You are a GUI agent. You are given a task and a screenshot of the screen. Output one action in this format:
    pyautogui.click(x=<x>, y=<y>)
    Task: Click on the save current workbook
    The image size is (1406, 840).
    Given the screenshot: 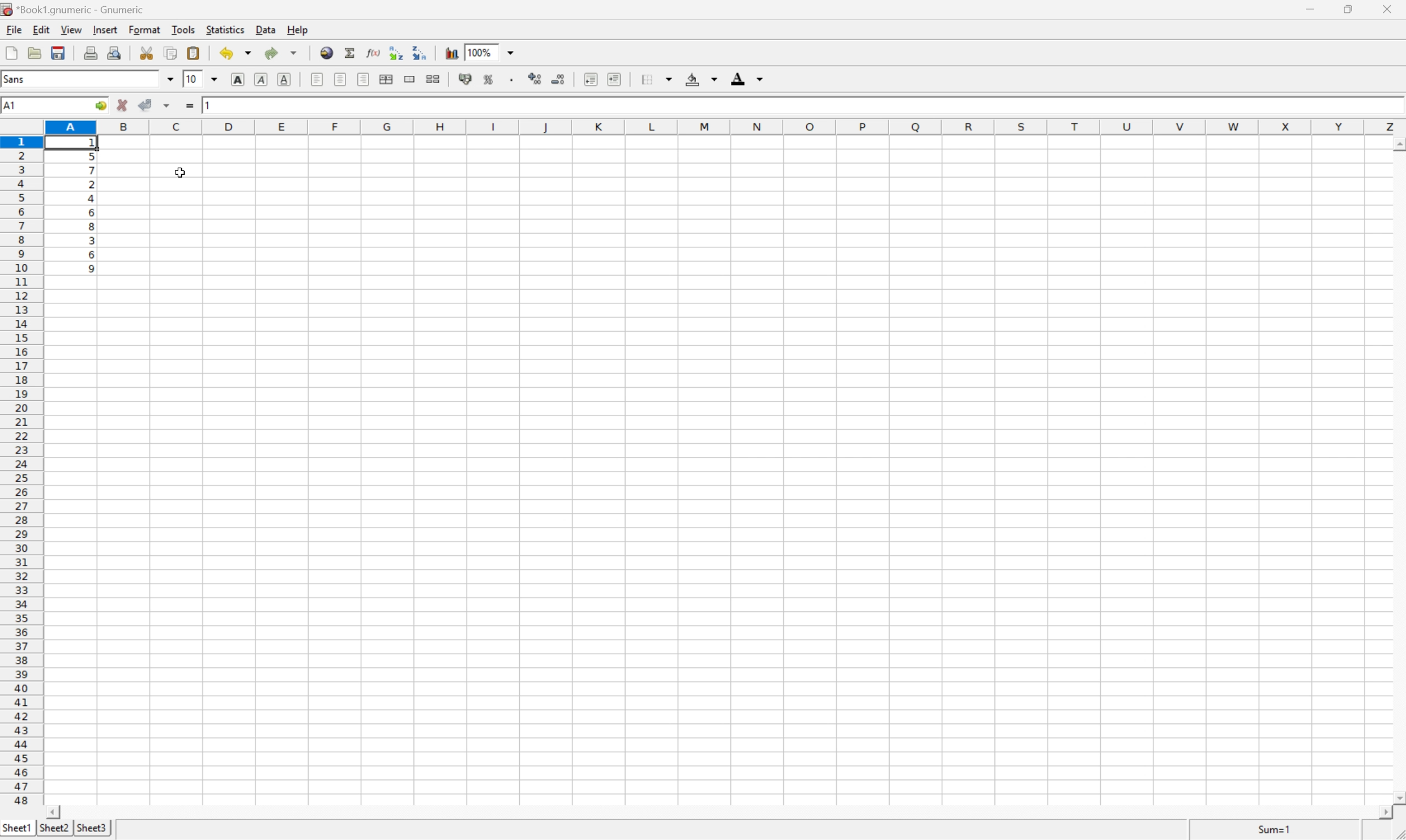 What is the action you would take?
    pyautogui.click(x=58, y=53)
    